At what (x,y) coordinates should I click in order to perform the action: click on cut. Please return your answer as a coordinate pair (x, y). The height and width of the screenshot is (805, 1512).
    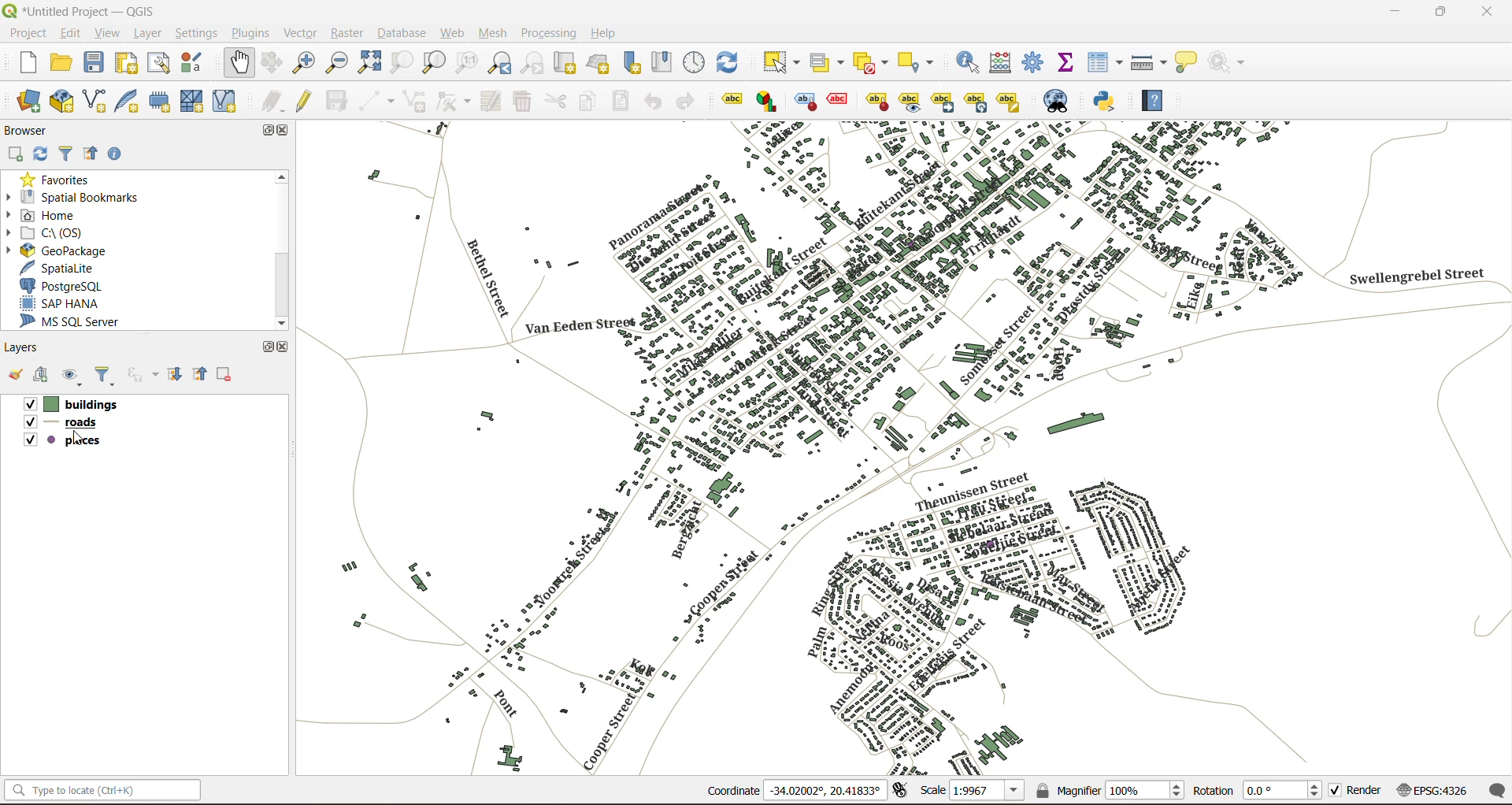
    Looking at the image, I should click on (558, 102).